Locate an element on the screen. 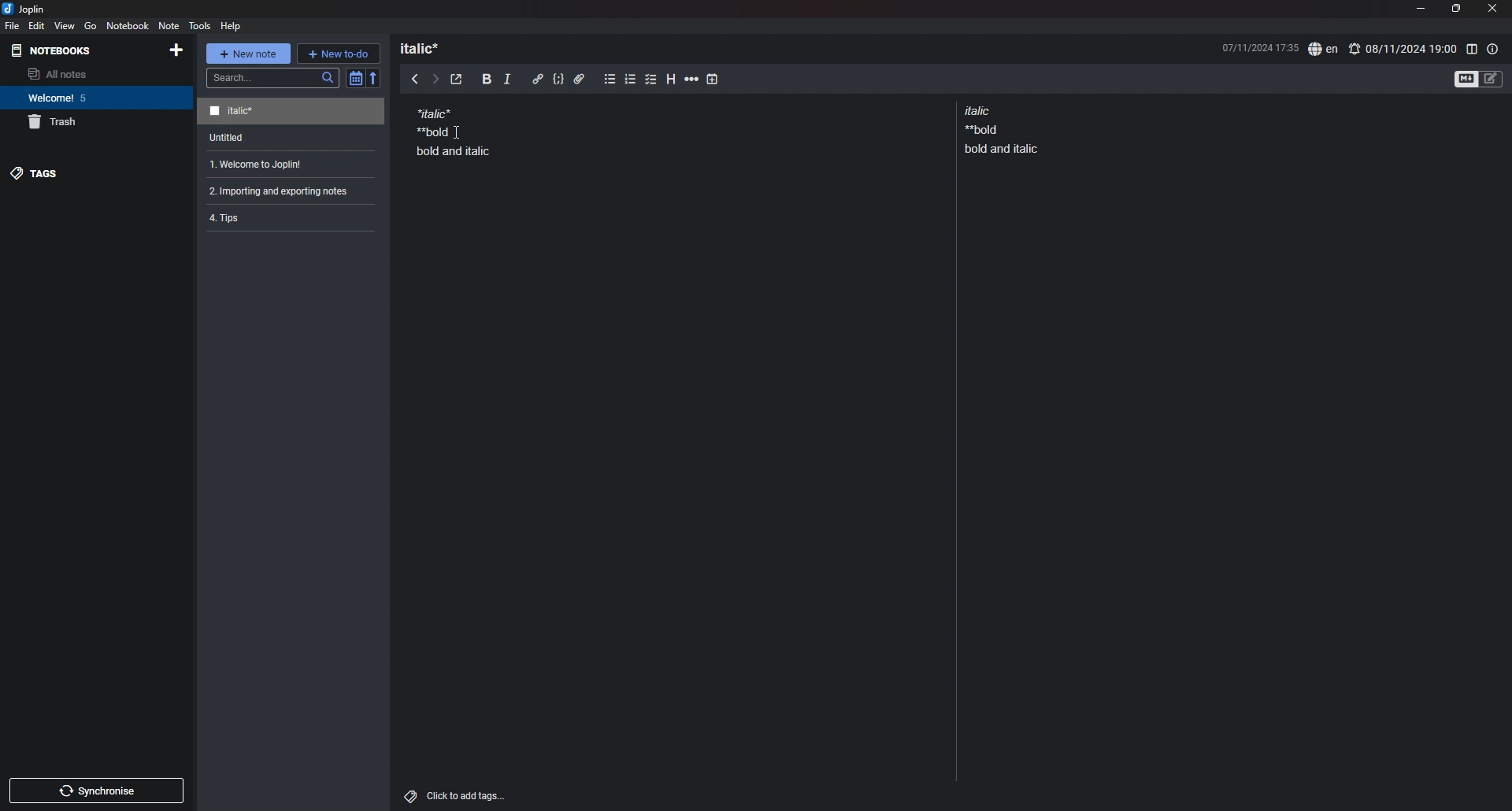  help is located at coordinates (232, 25).